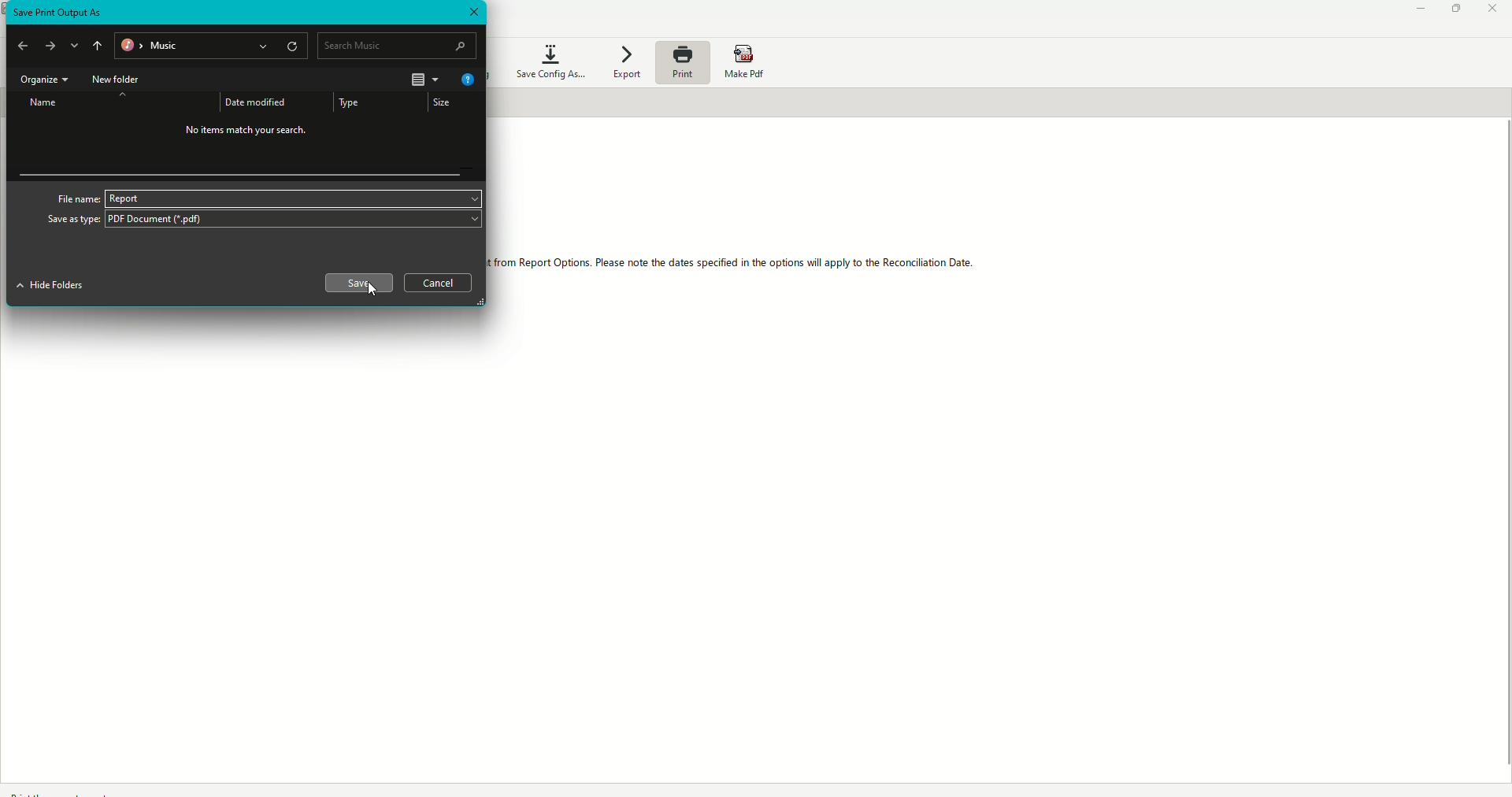 This screenshot has height=797, width=1512. What do you see at coordinates (120, 80) in the screenshot?
I see `New Folder` at bounding box center [120, 80].